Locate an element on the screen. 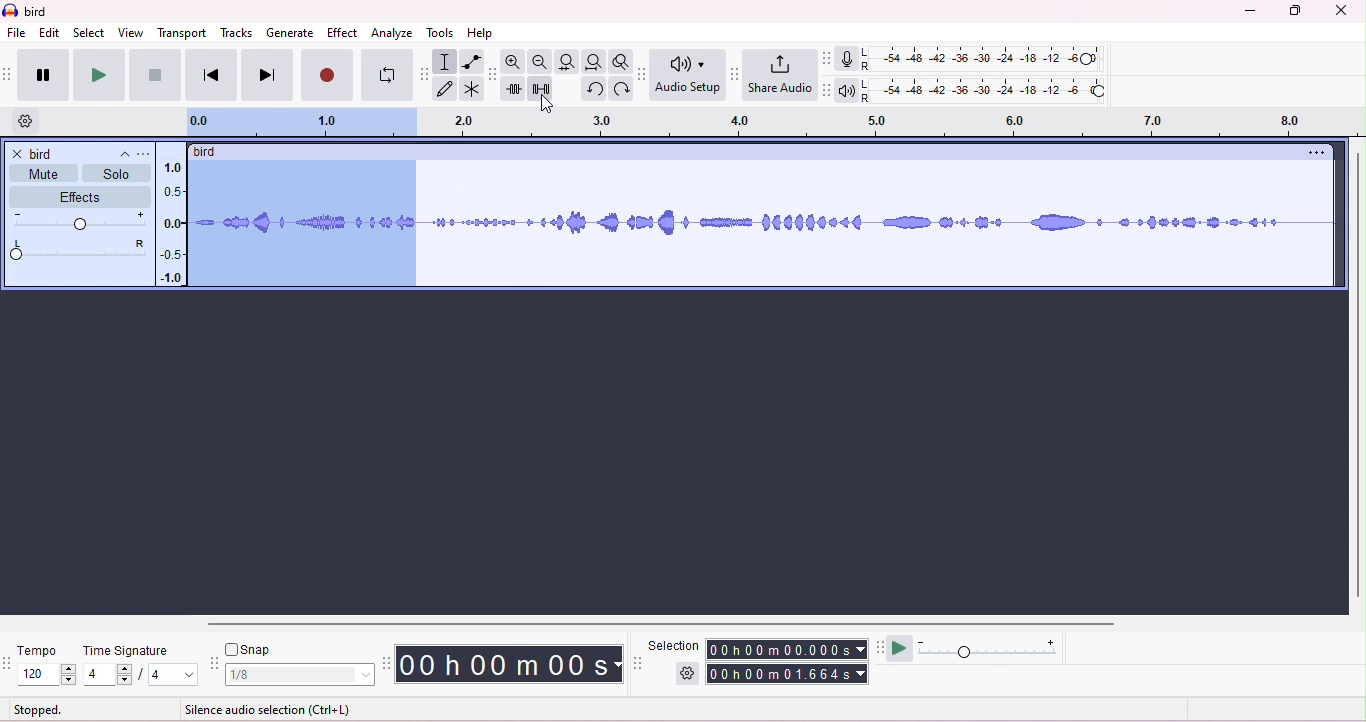 The image size is (1366, 722). close is located at coordinates (17, 154).